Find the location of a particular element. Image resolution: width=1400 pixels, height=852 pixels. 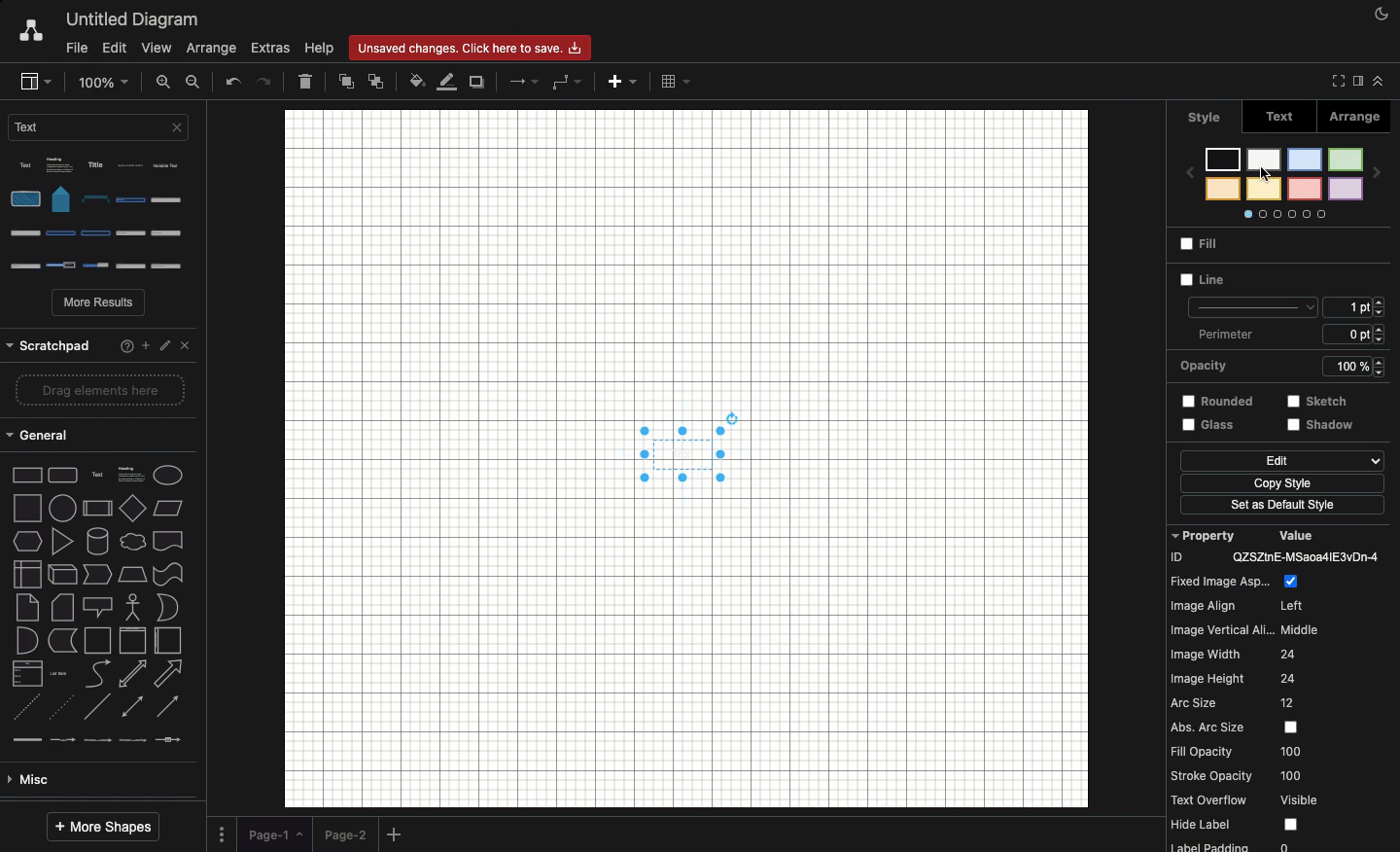

To front is located at coordinates (345, 85).